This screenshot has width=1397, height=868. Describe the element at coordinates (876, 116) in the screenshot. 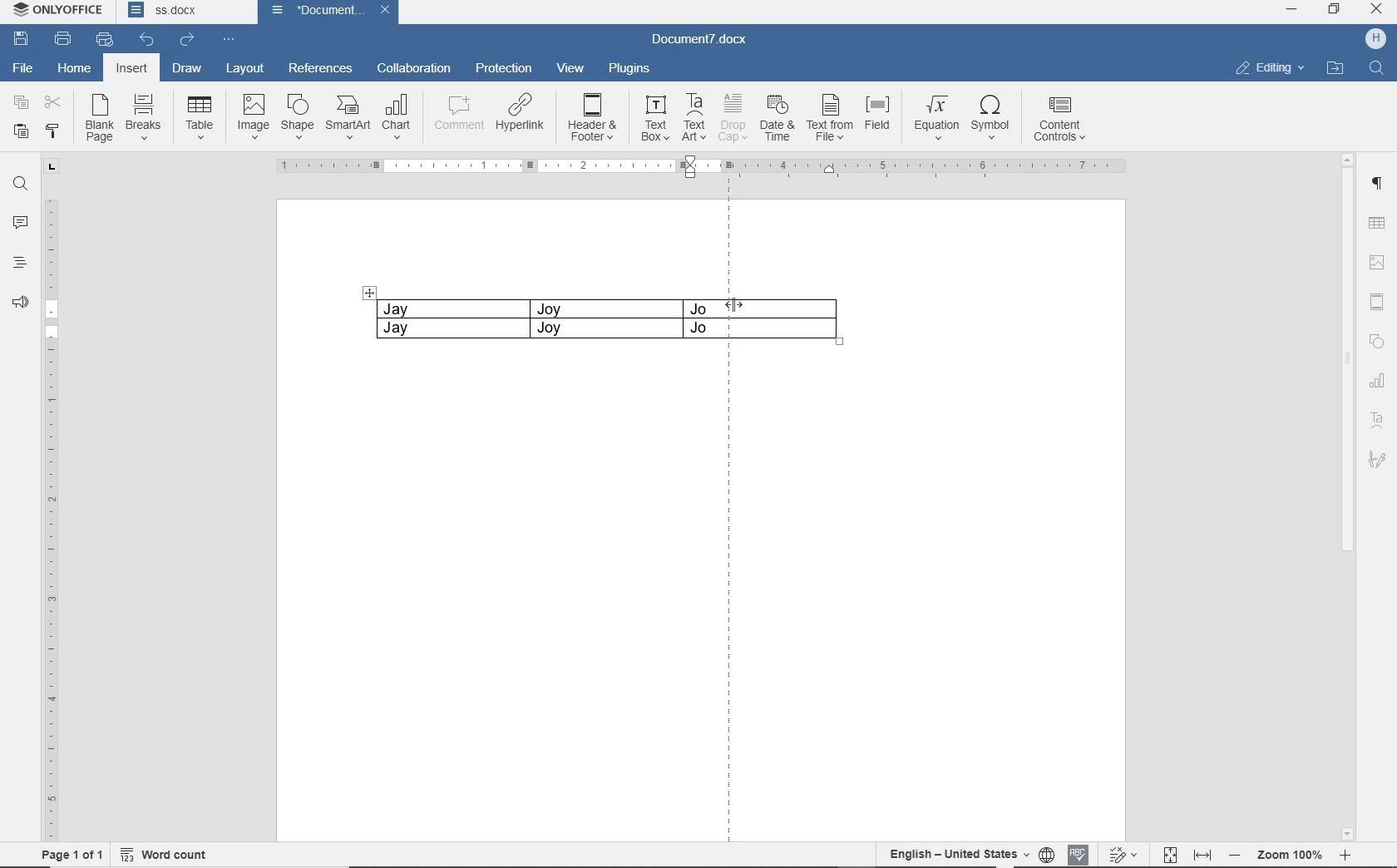

I see `FIELD` at that location.